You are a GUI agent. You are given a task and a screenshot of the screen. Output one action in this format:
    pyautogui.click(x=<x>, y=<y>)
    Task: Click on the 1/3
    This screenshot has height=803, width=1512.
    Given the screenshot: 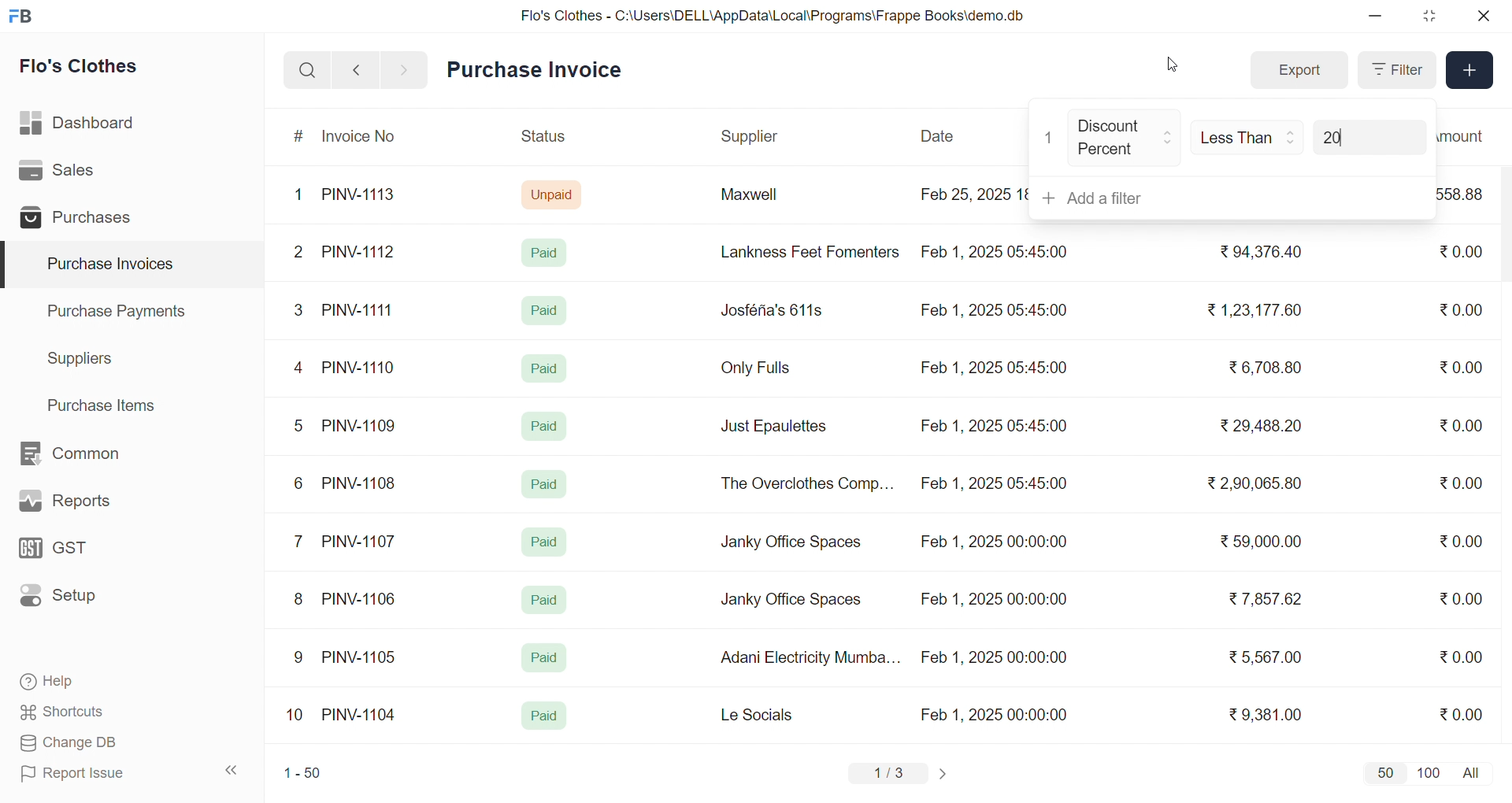 What is the action you would take?
    pyautogui.click(x=889, y=775)
    